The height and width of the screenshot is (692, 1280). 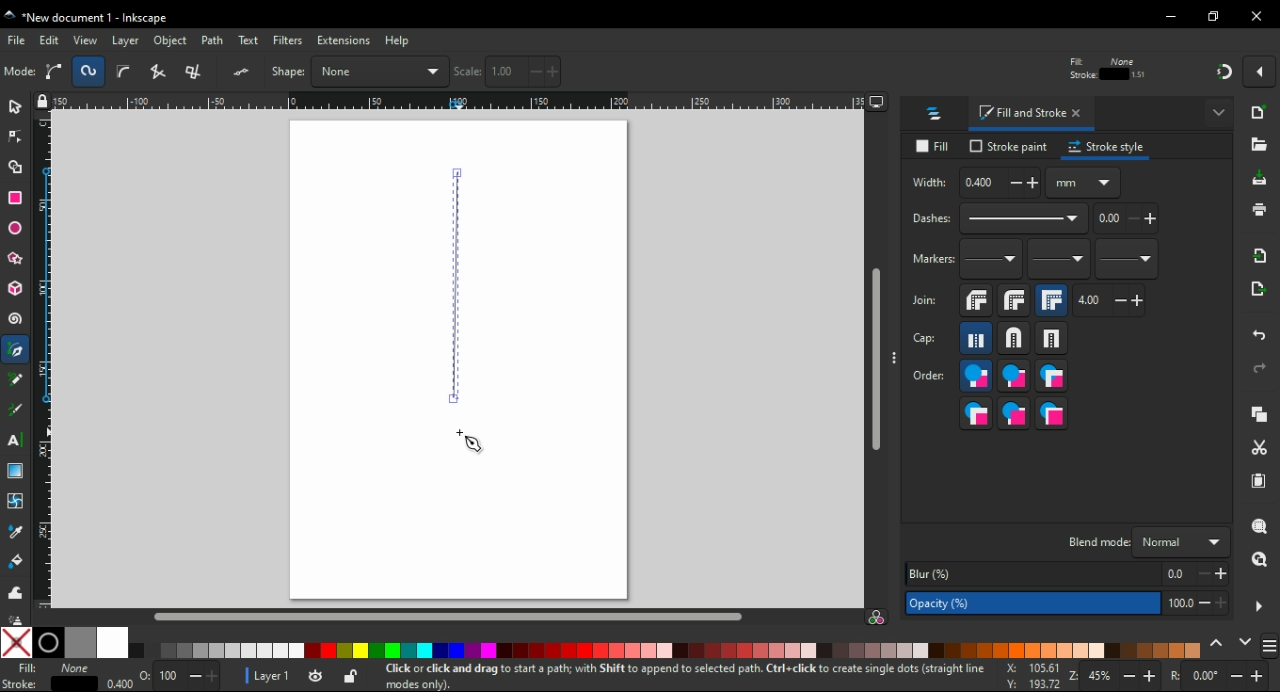 I want to click on measurement unit, so click(x=1012, y=71).